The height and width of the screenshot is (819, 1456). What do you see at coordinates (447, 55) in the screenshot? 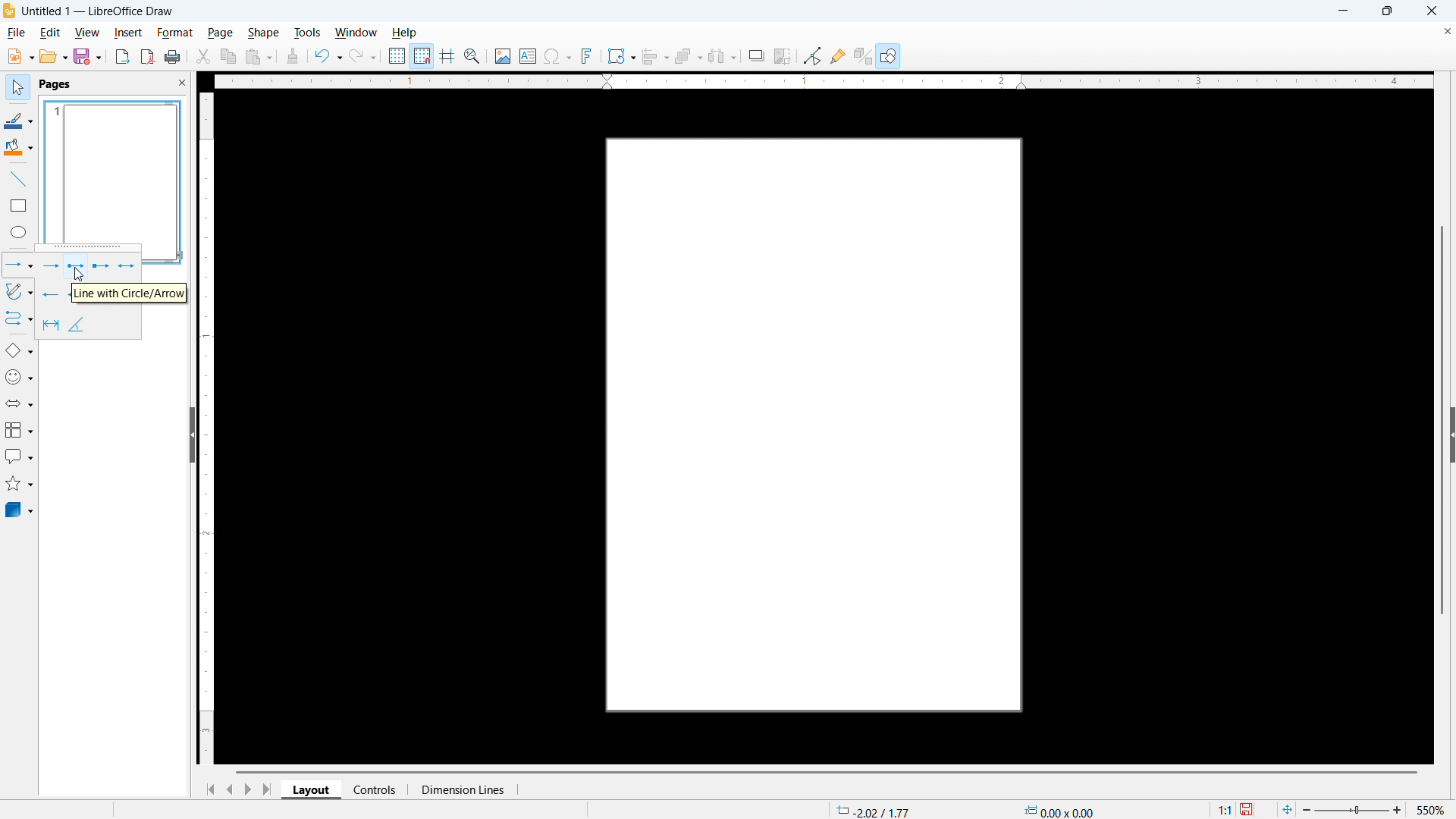
I see `Guideline while moving ` at bounding box center [447, 55].